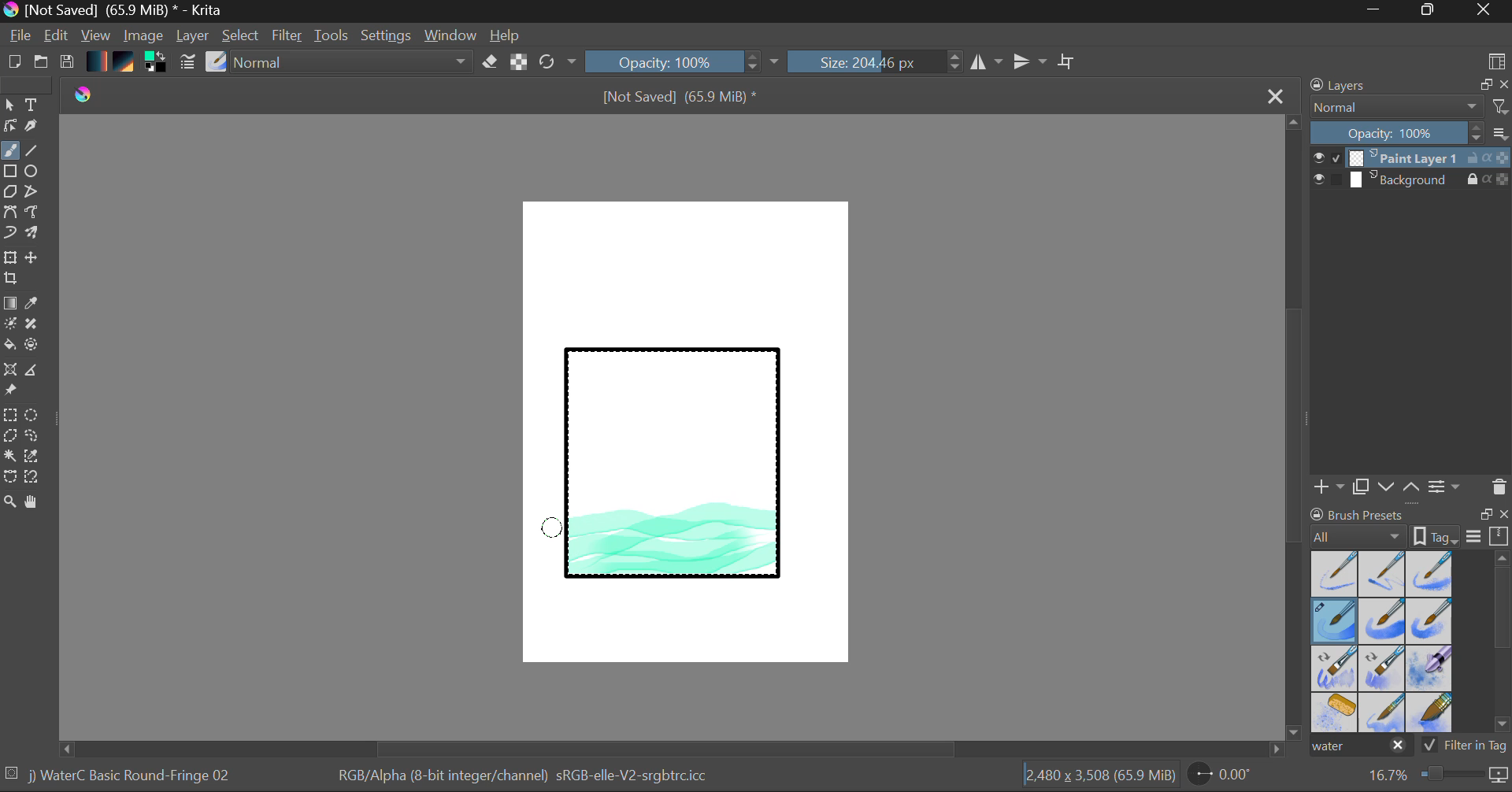 The height and width of the screenshot is (792, 1512). I want to click on Blending Tool, so click(354, 63).